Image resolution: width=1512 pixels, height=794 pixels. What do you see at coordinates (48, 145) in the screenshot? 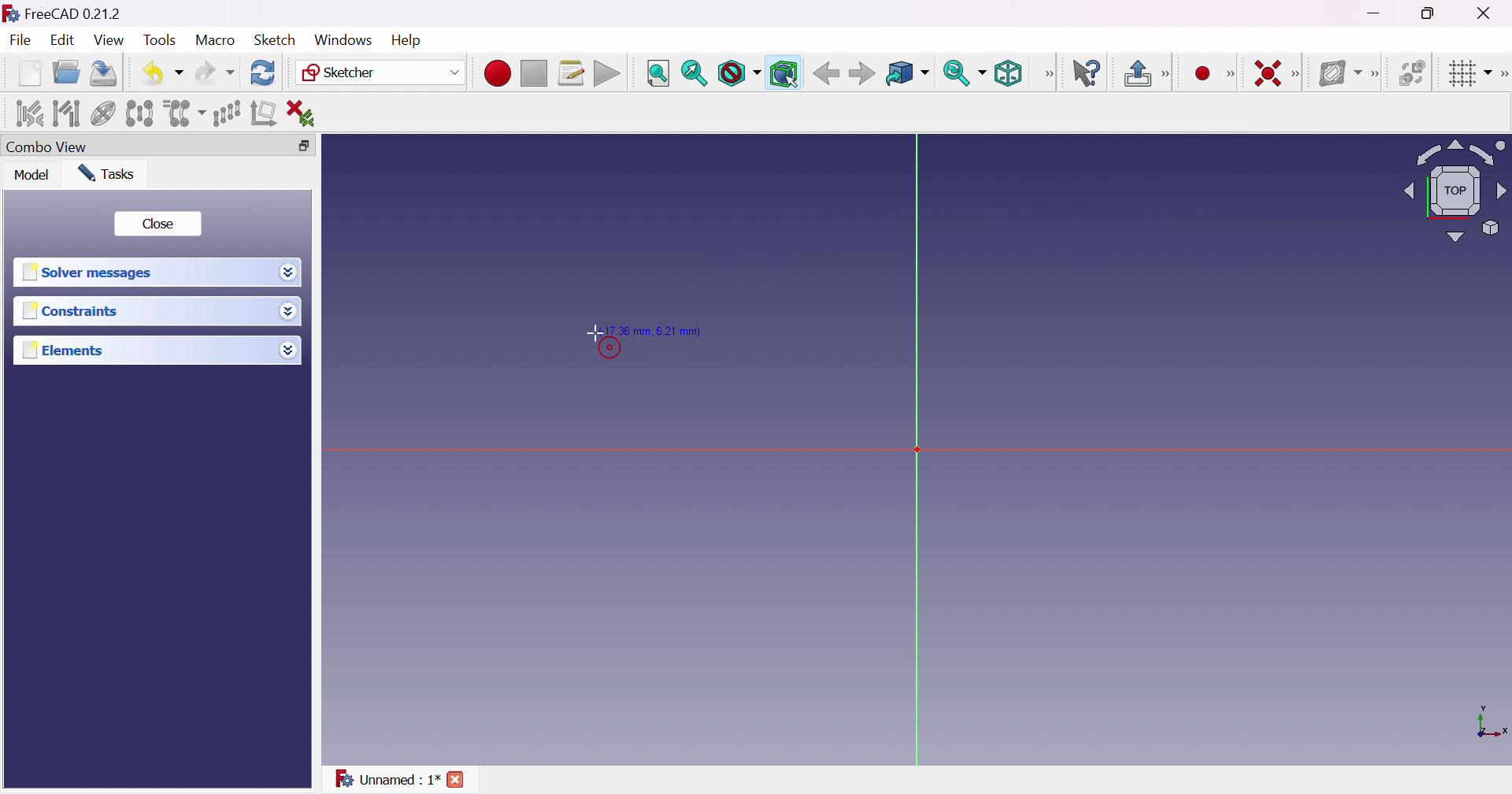
I see `Combo view` at bounding box center [48, 145].